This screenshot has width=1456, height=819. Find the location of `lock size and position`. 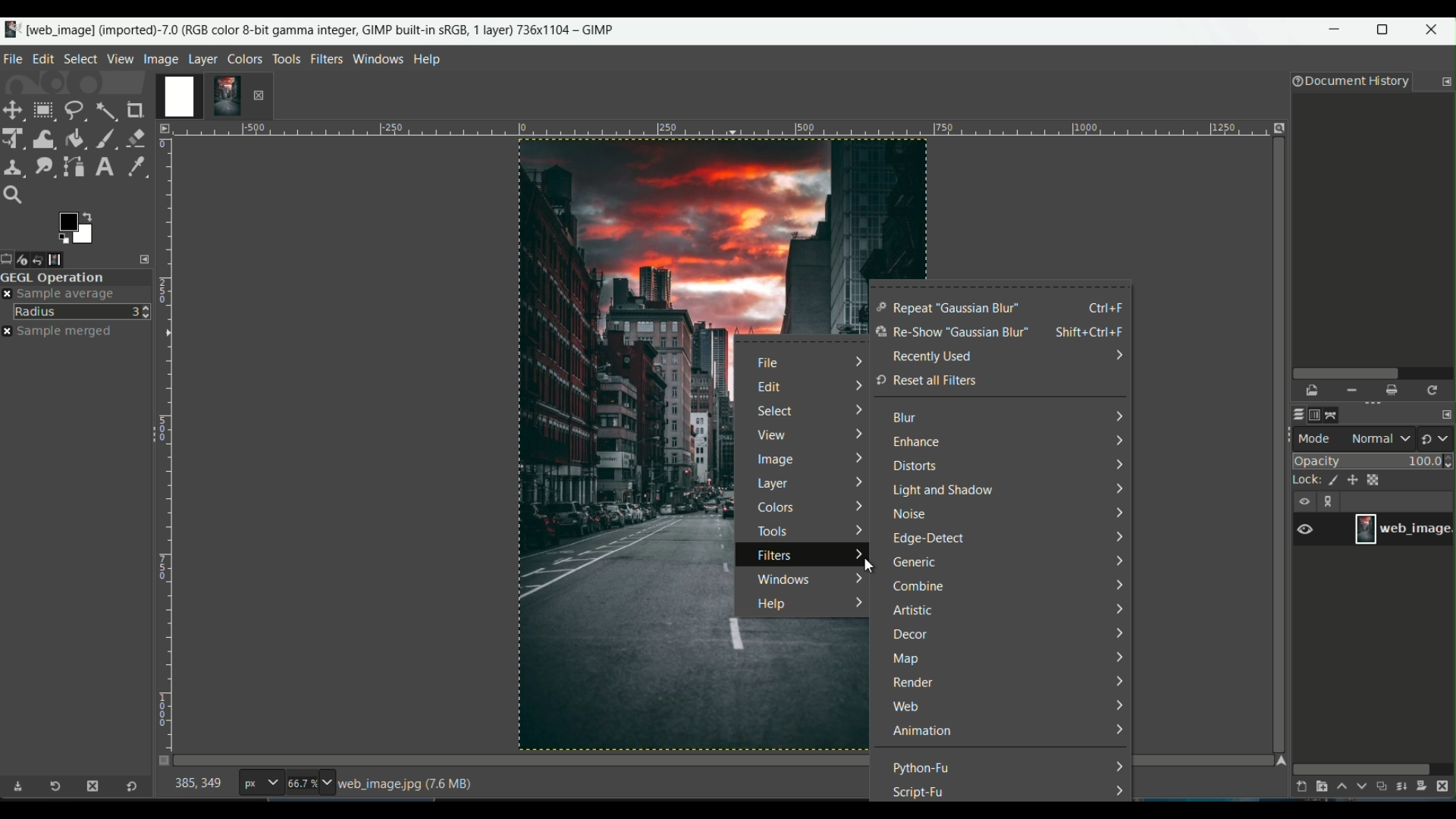

lock size and position is located at coordinates (1353, 481).